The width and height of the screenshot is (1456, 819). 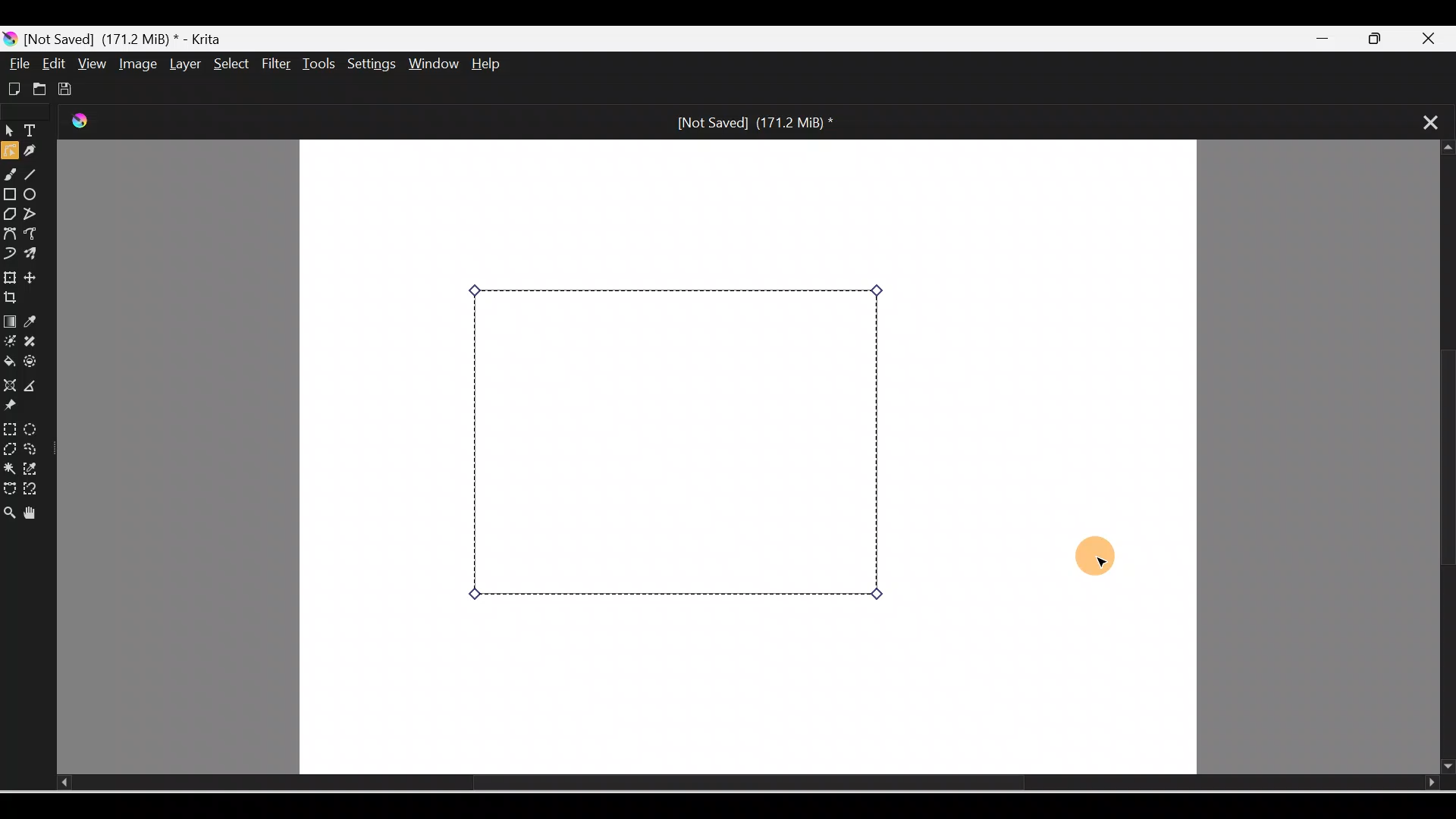 I want to click on Transform a layer/selection, so click(x=10, y=275).